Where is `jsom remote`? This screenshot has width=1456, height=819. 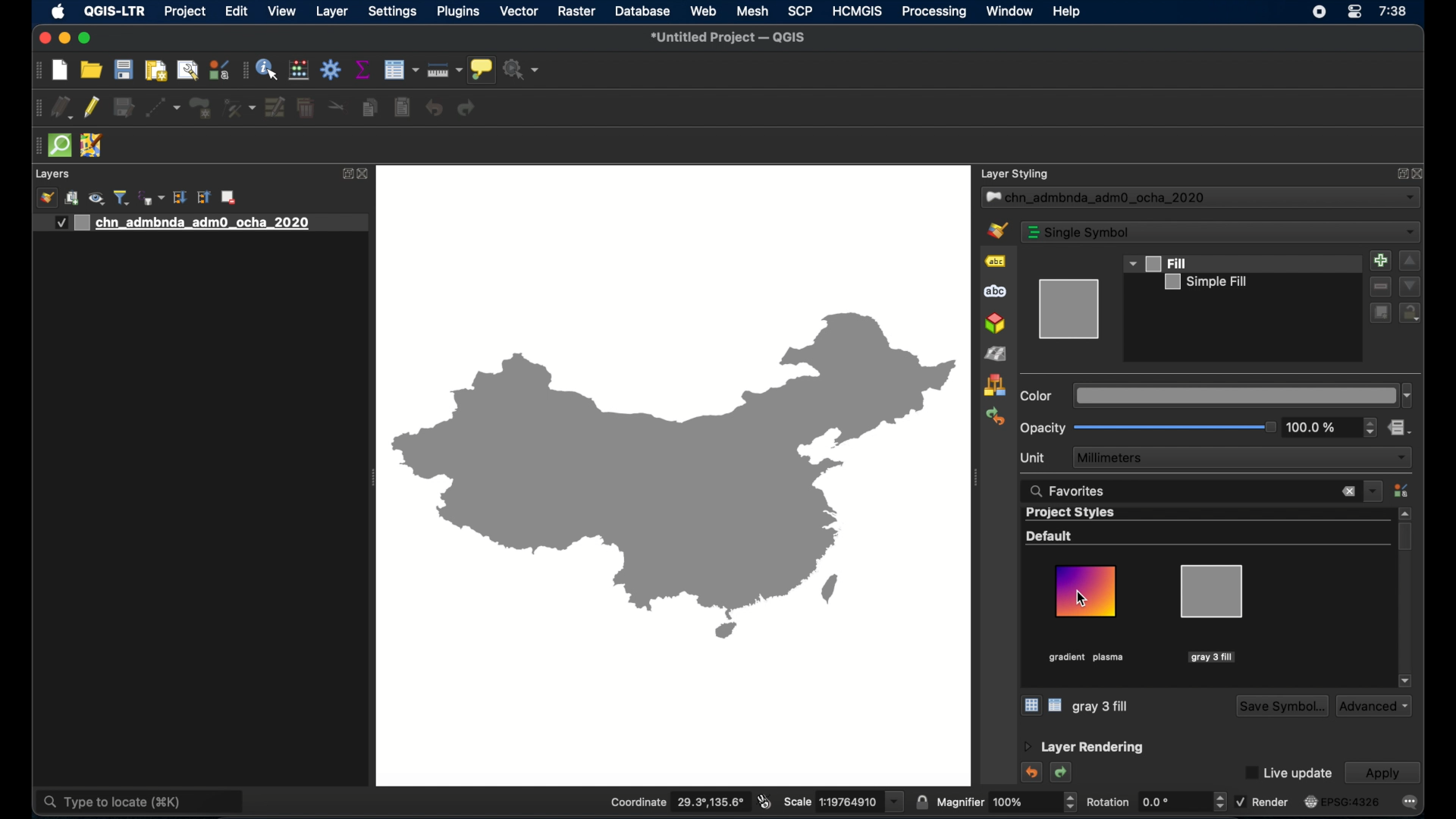
jsom remote is located at coordinates (93, 145).